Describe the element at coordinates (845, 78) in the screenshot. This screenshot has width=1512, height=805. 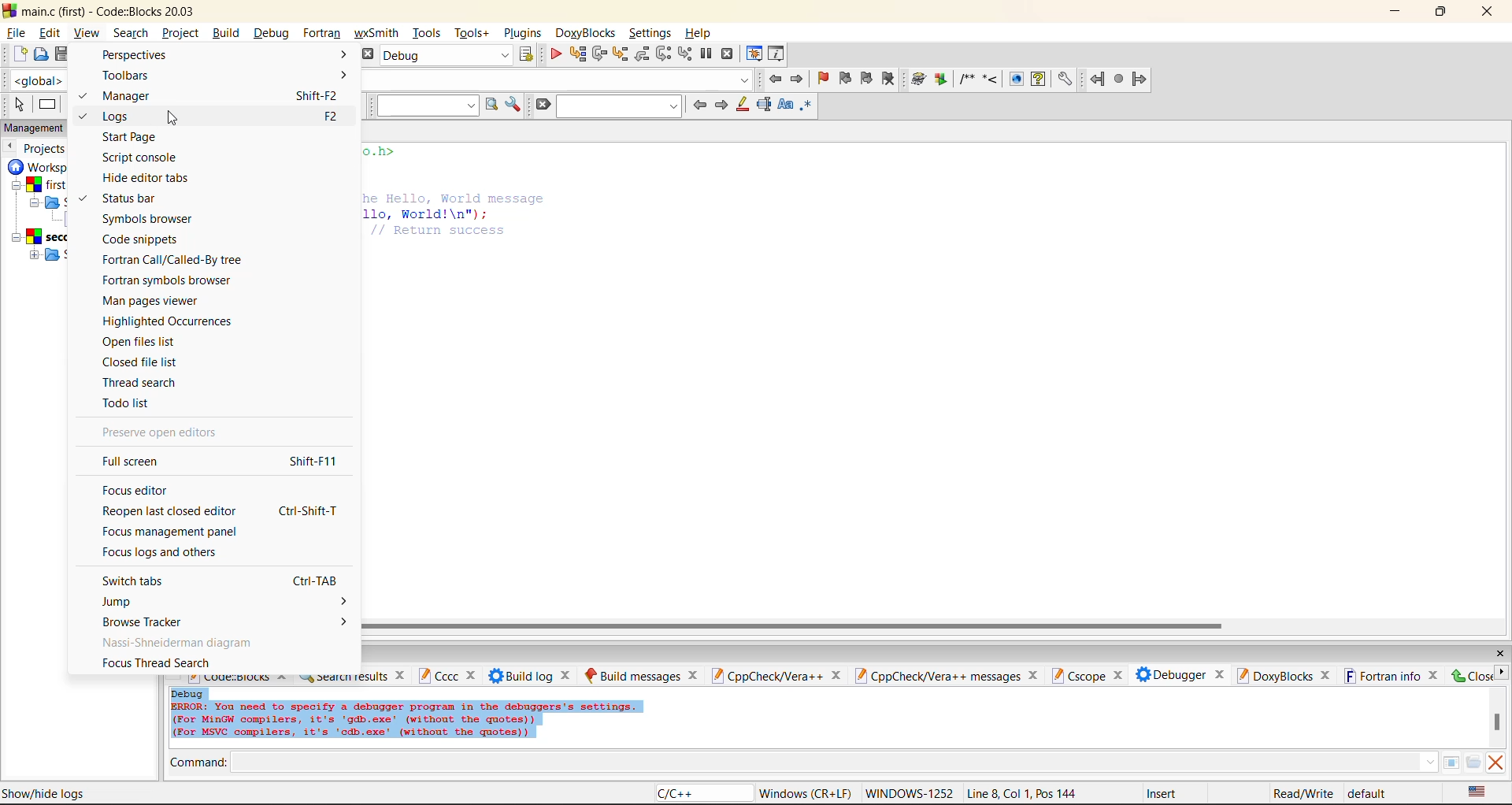
I see `previous bookmark` at that location.